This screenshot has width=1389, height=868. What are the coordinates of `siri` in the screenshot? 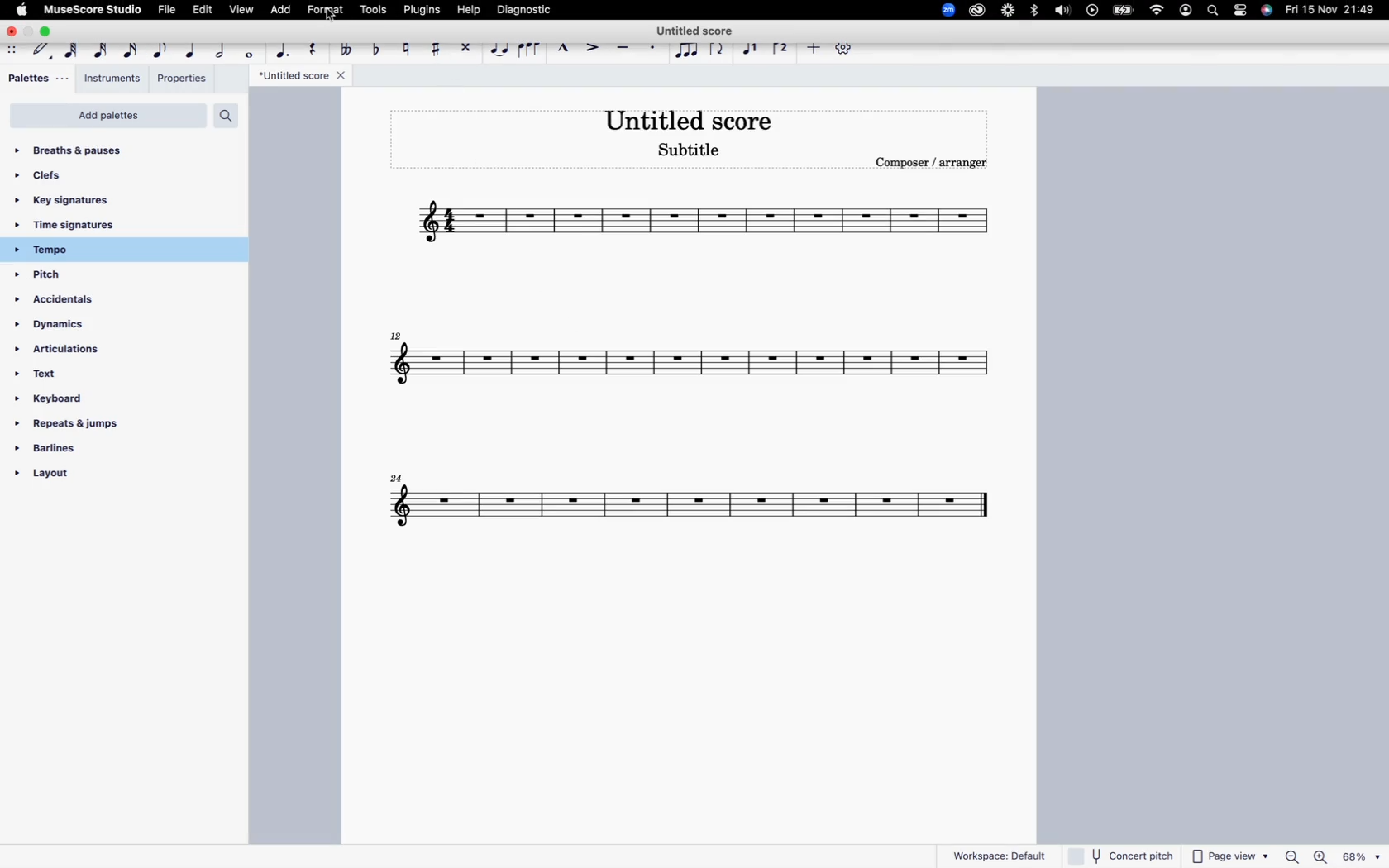 It's located at (1267, 12).